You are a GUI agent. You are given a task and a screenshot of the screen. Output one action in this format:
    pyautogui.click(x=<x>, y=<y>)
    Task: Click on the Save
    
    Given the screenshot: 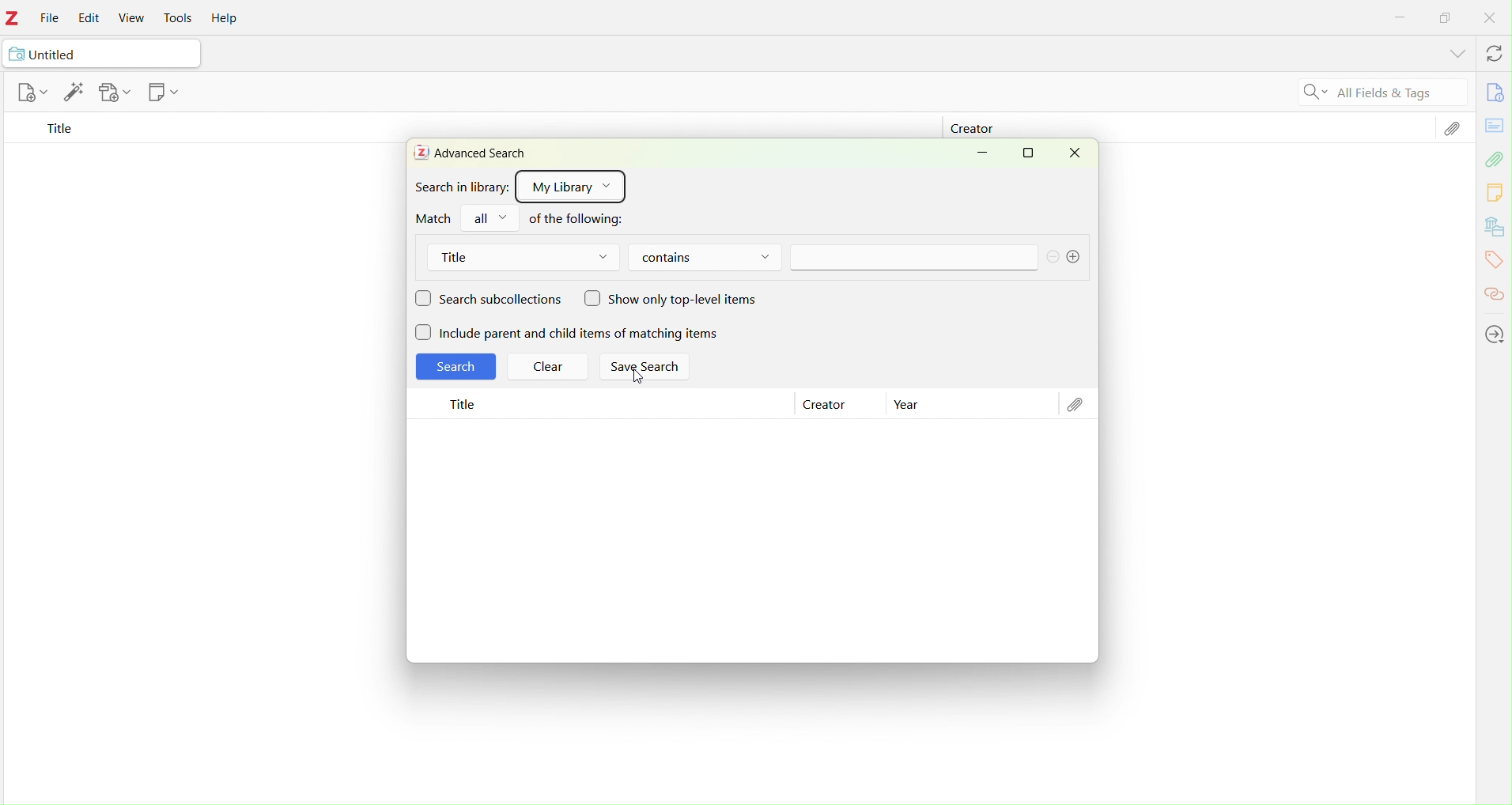 What is the action you would take?
    pyautogui.click(x=116, y=93)
    